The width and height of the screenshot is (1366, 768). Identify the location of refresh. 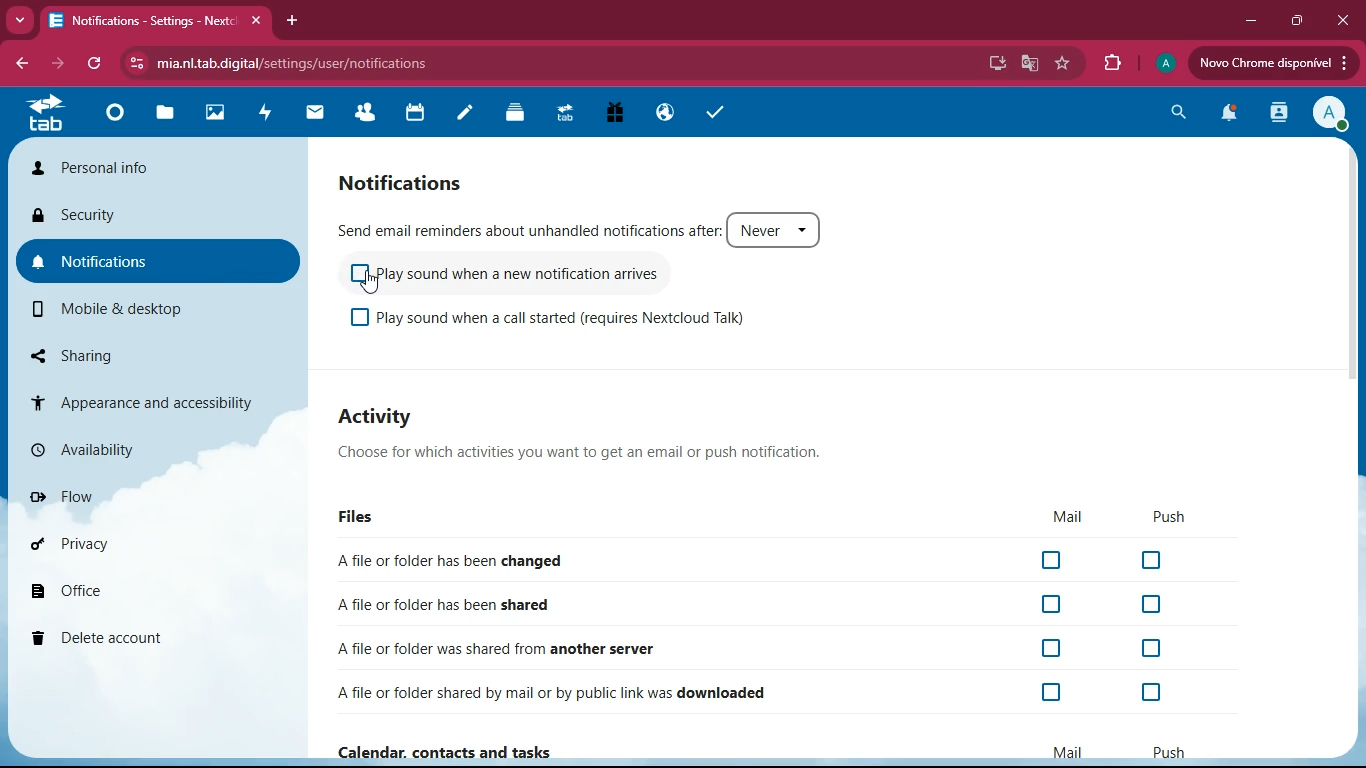
(95, 64).